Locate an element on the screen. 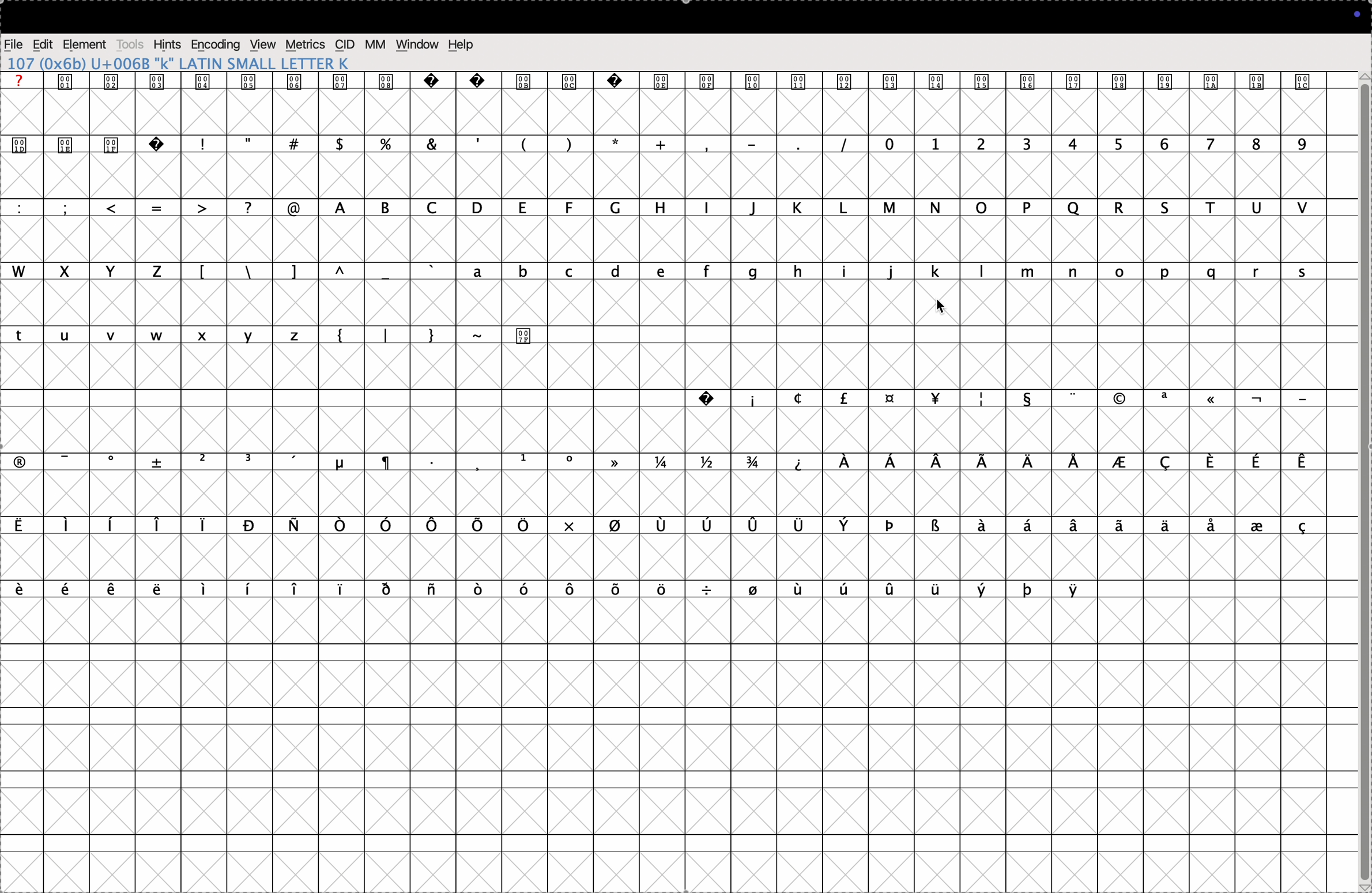 The image size is (1372, 893). , is located at coordinates (475, 141).